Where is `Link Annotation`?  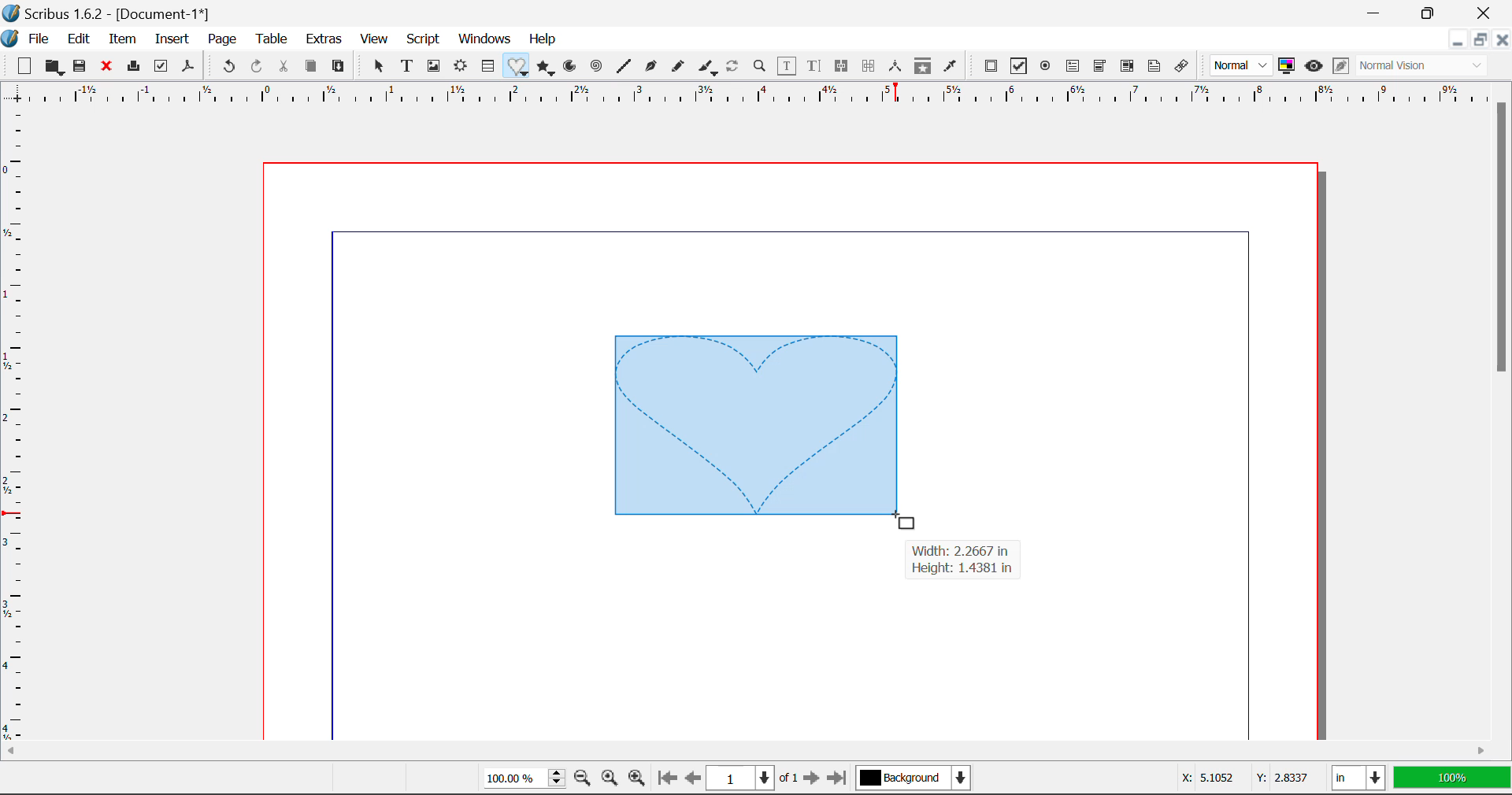
Link Annotation is located at coordinates (1182, 67).